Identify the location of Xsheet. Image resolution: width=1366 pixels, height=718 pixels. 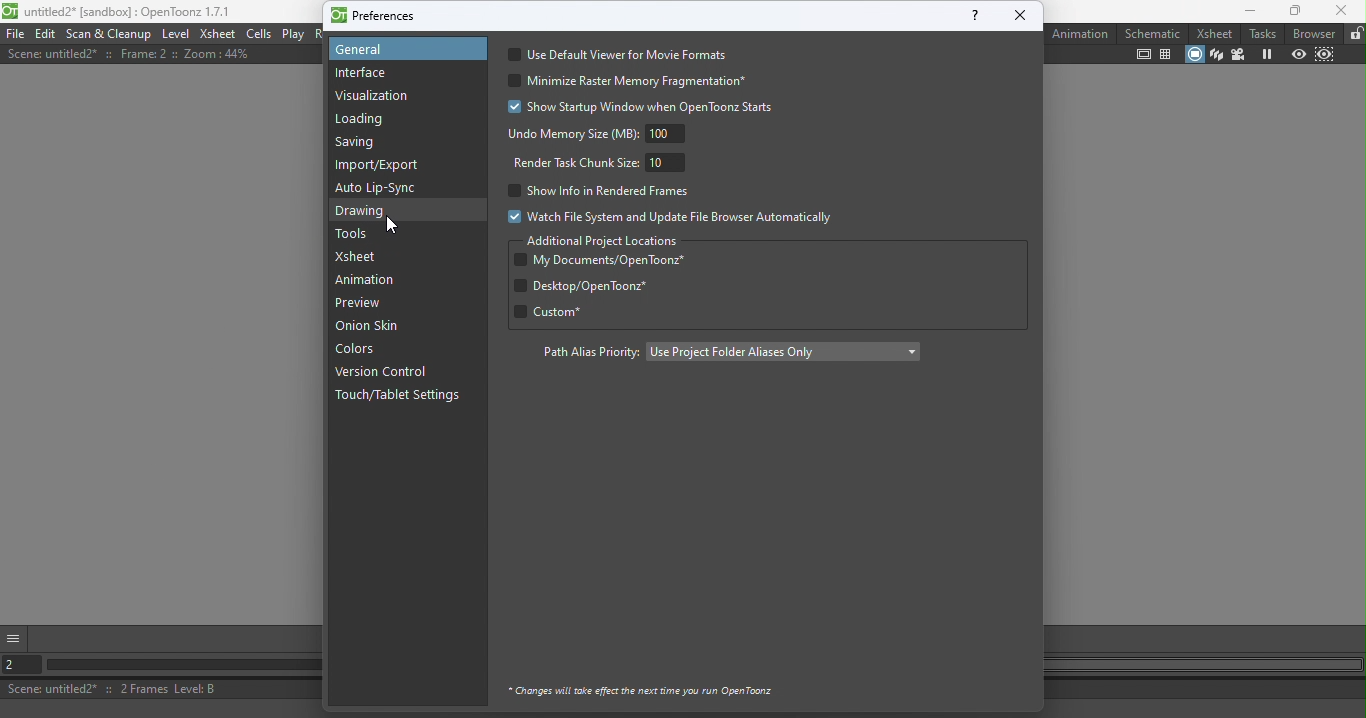
(1211, 32).